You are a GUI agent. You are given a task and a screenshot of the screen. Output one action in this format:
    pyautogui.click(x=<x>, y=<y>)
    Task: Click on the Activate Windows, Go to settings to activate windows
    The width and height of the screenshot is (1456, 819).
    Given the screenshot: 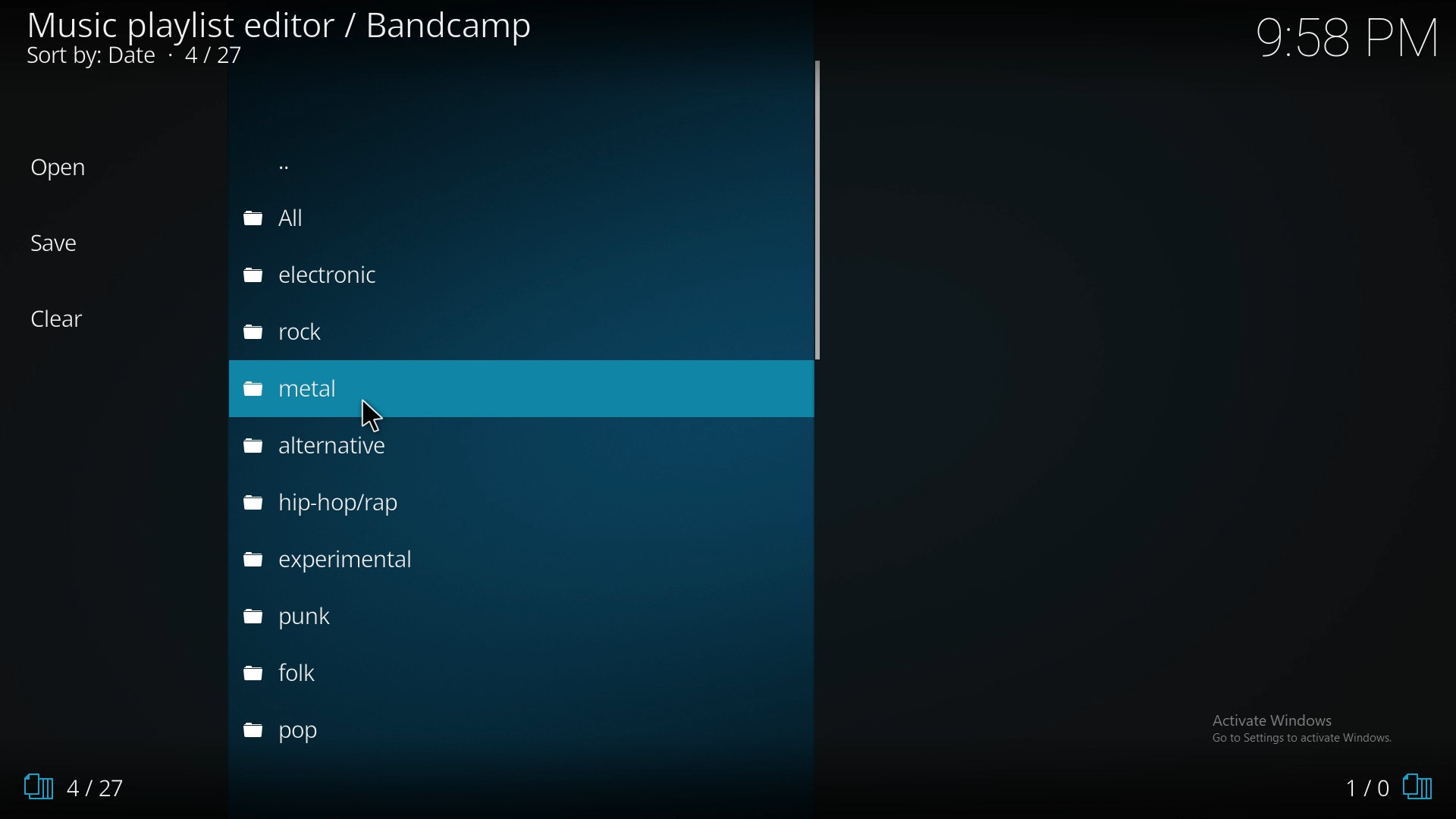 What is the action you would take?
    pyautogui.click(x=1305, y=728)
    